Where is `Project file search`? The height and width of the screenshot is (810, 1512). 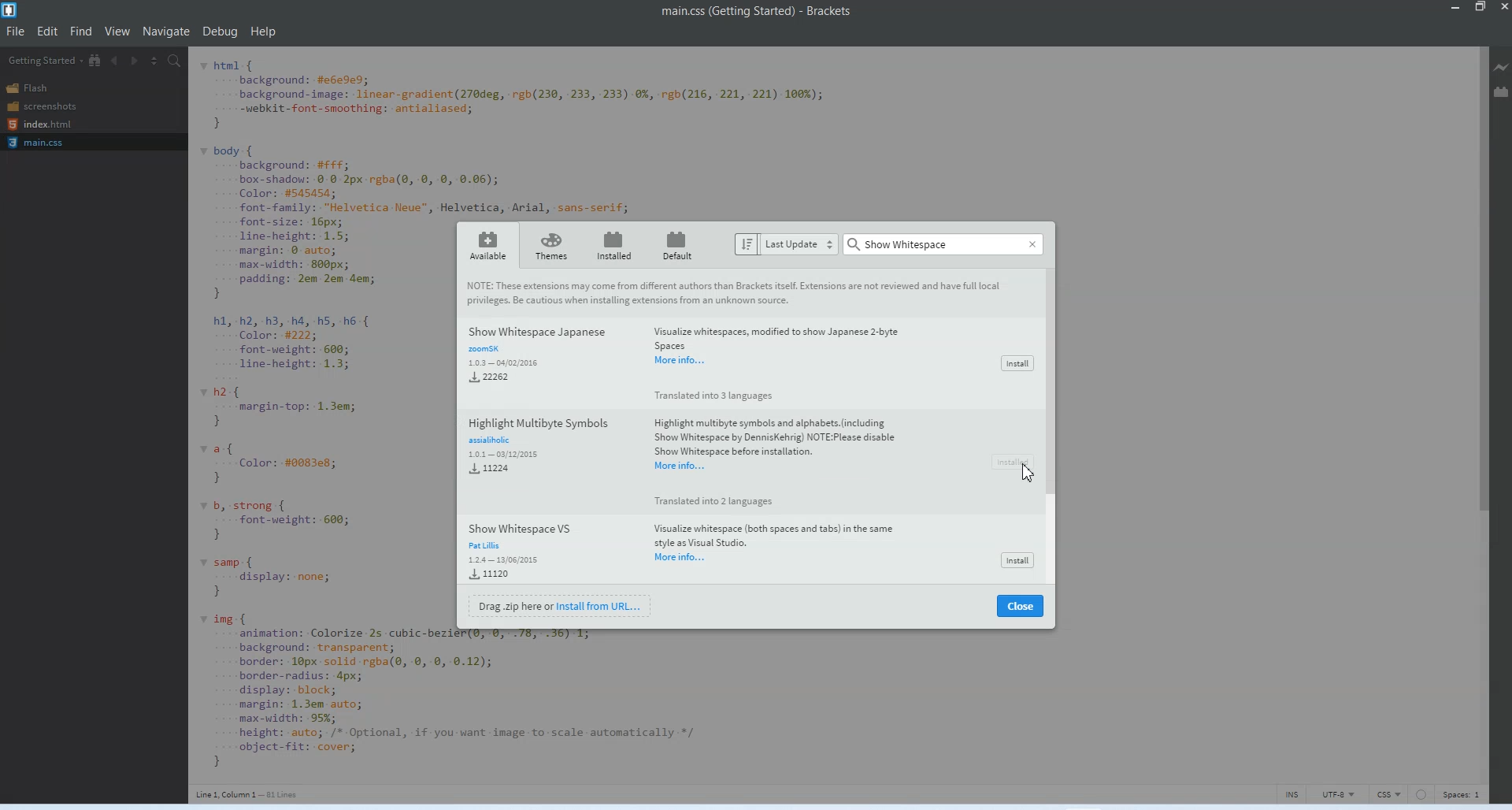 Project file search is located at coordinates (710, 350).